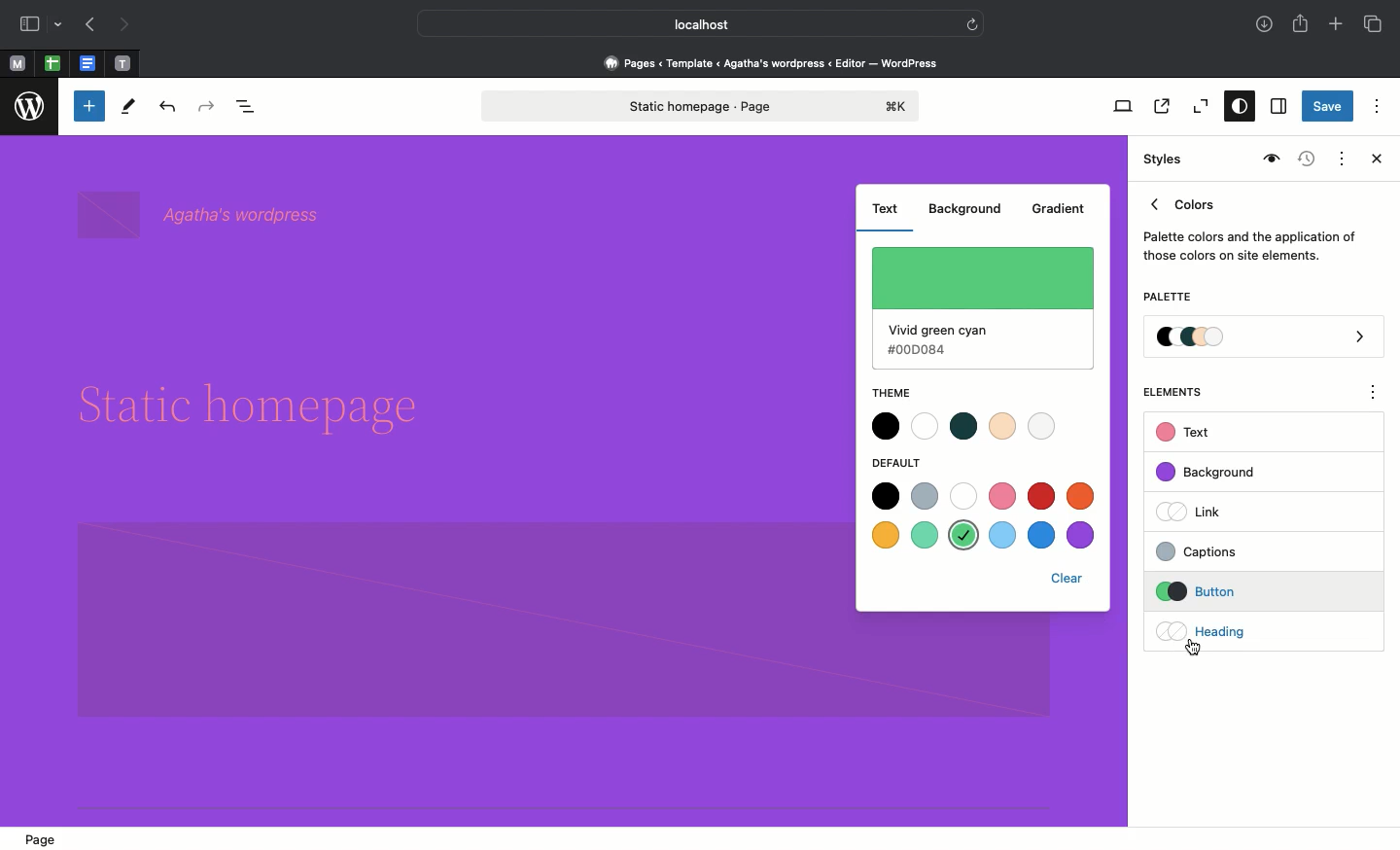  Describe the element at coordinates (1328, 108) in the screenshot. I see `Save` at that location.